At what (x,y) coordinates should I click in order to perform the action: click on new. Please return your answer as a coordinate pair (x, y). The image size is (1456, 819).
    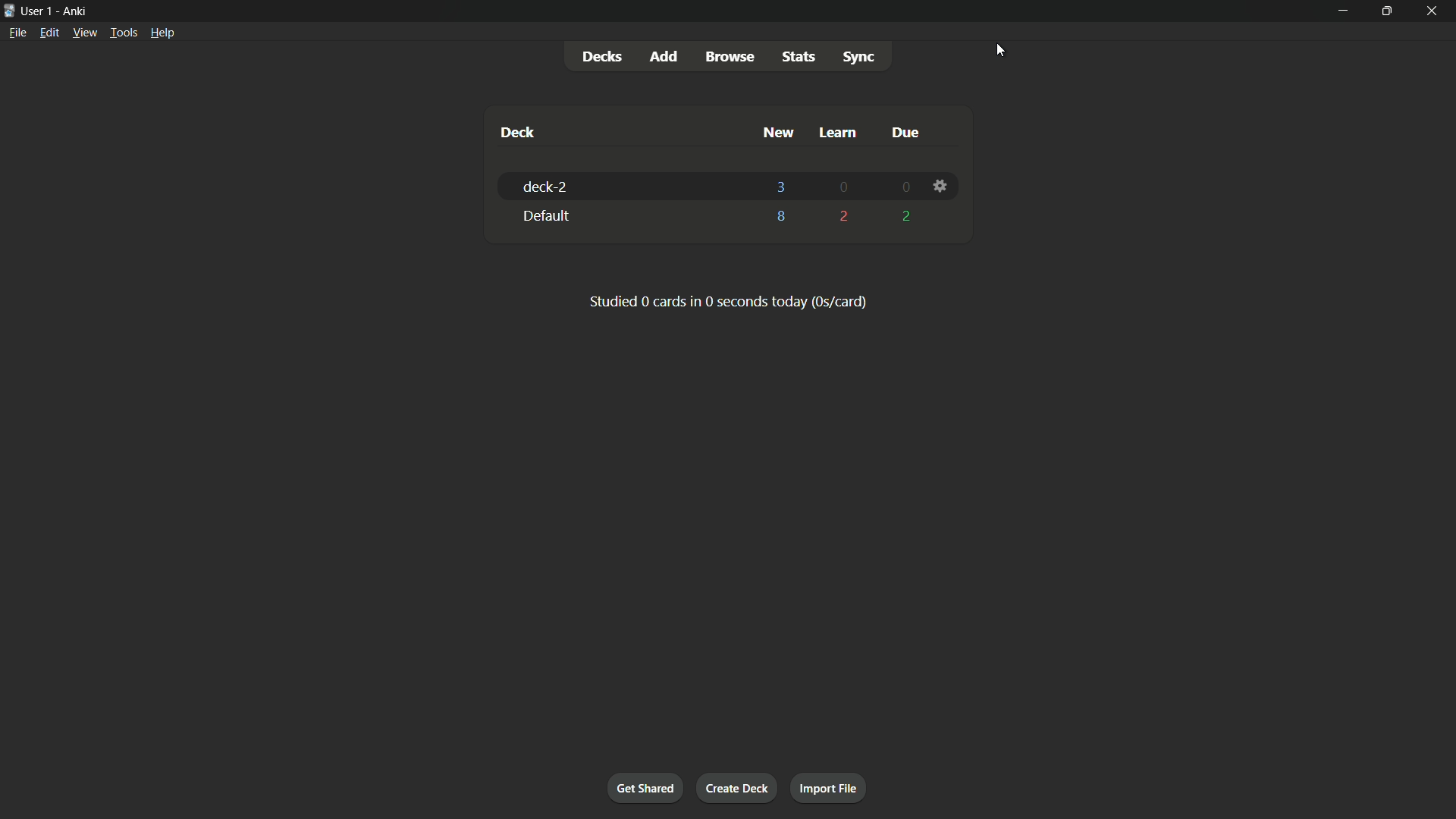
    Looking at the image, I should click on (777, 133).